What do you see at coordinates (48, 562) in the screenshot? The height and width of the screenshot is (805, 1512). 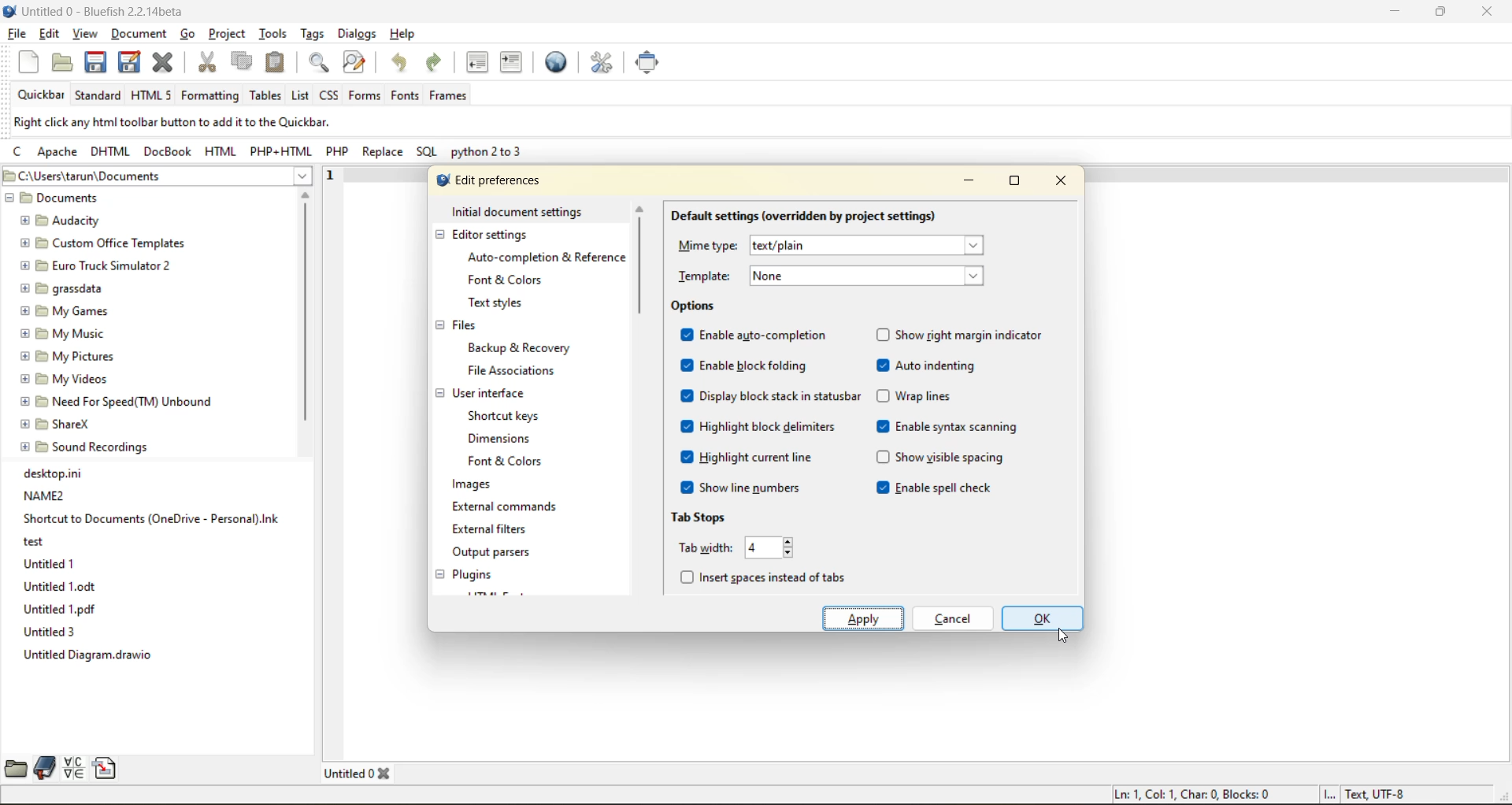 I see `Untitled 1` at bounding box center [48, 562].